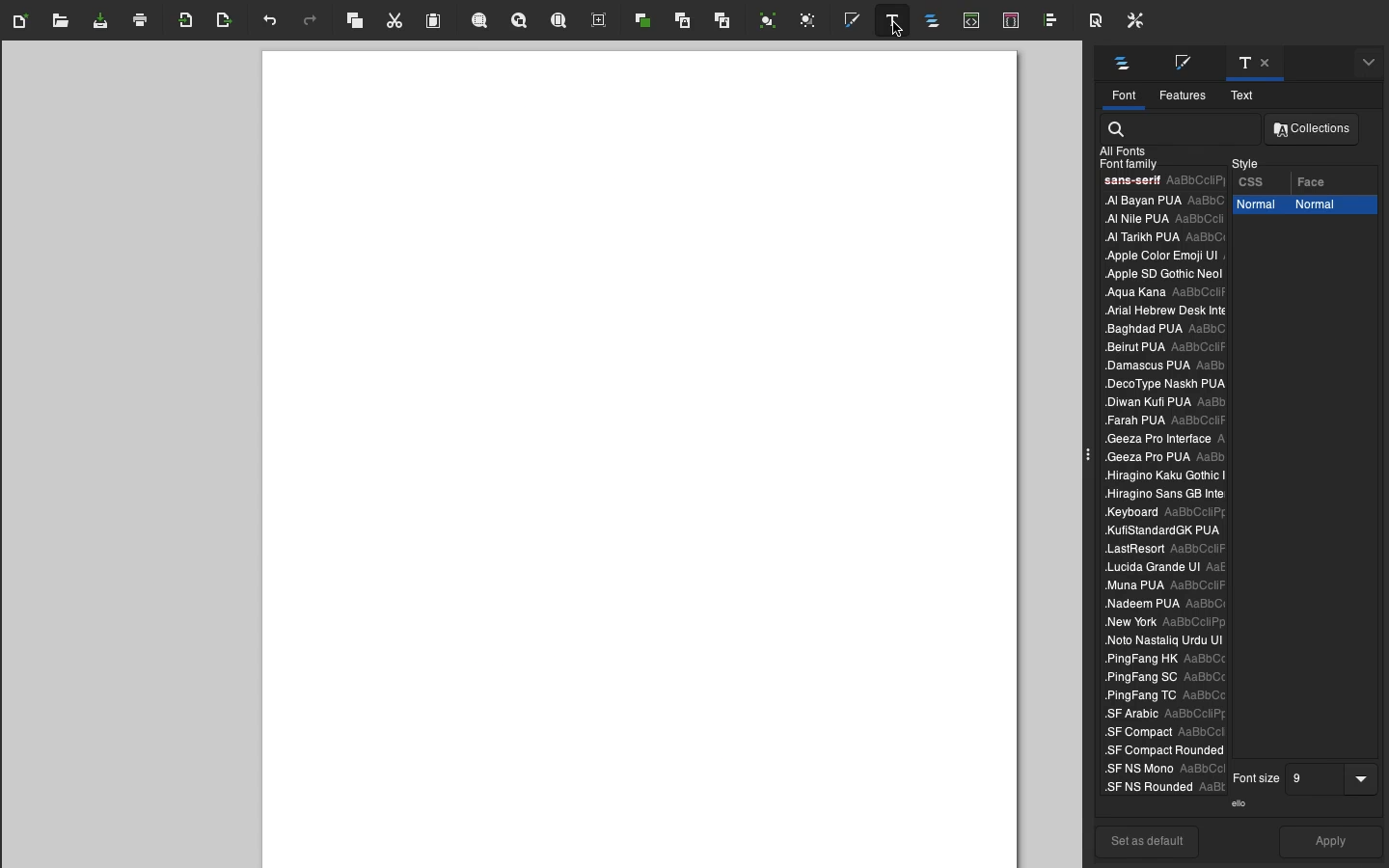  Describe the element at coordinates (1158, 276) in the screenshot. I see `Apple SD Gothic Neol` at that location.